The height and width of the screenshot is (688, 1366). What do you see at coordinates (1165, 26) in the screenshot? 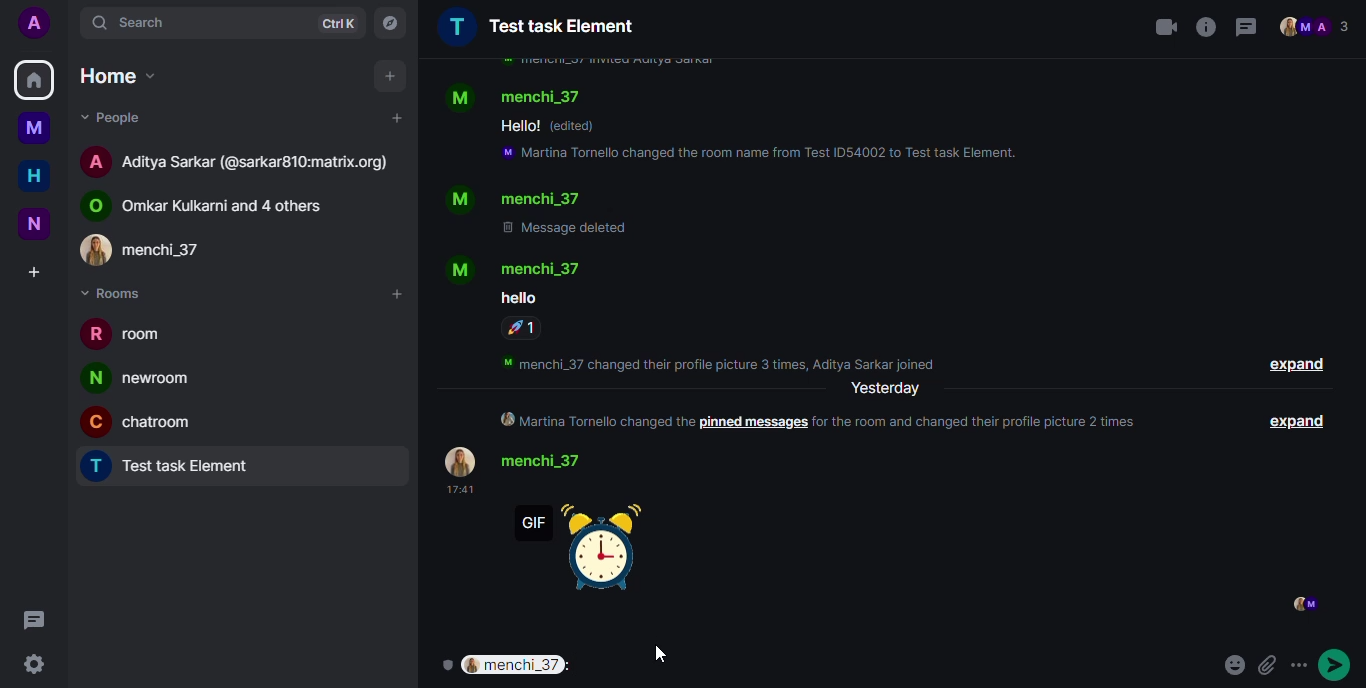
I see `video call` at bounding box center [1165, 26].